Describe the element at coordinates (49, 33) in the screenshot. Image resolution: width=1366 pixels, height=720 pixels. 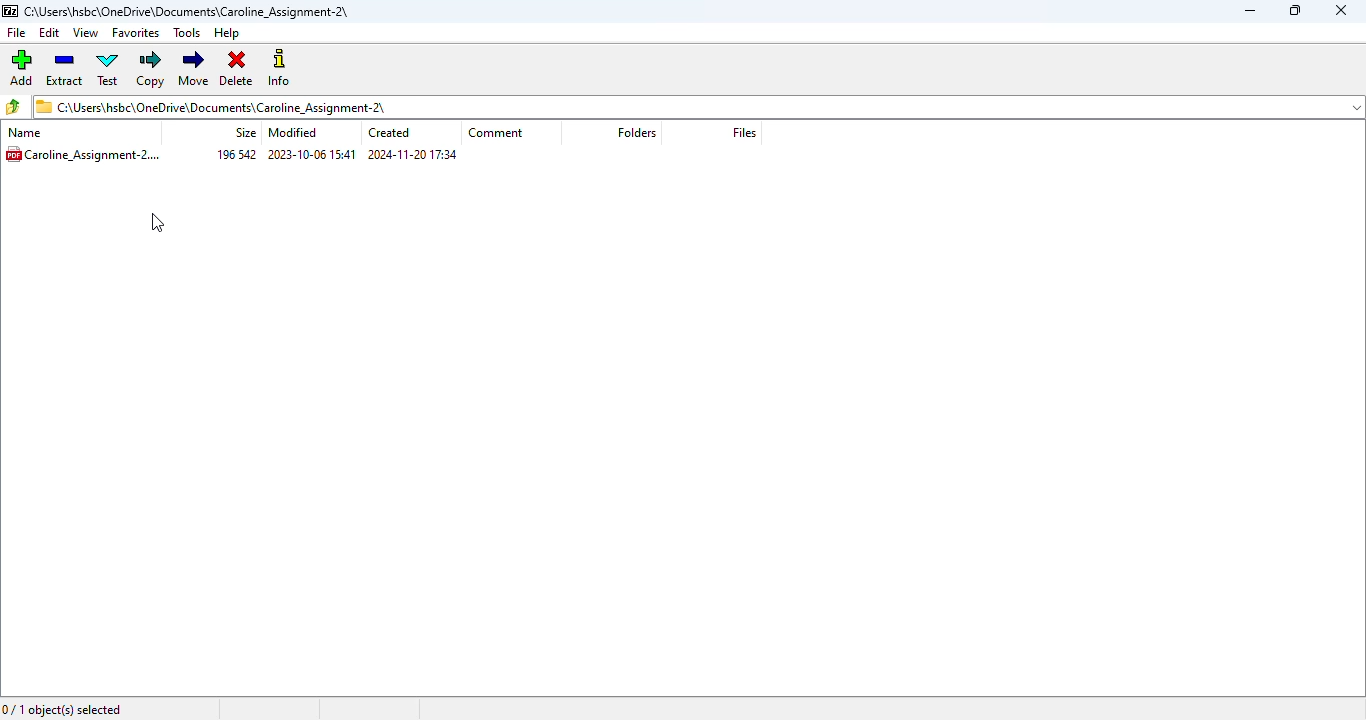
I see `edit` at that location.